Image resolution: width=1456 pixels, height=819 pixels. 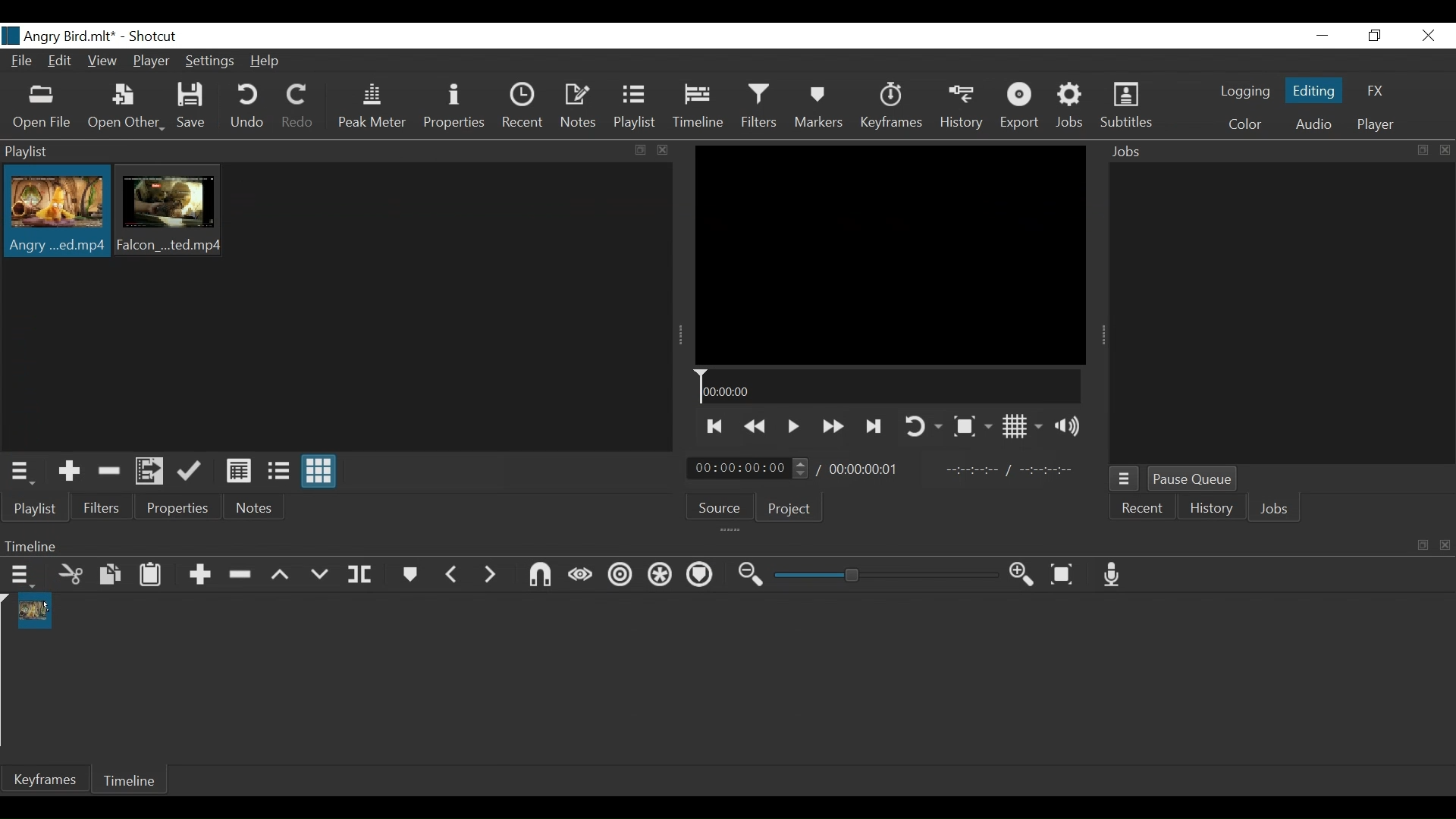 What do you see at coordinates (1313, 91) in the screenshot?
I see `Editing` at bounding box center [1313, 91].